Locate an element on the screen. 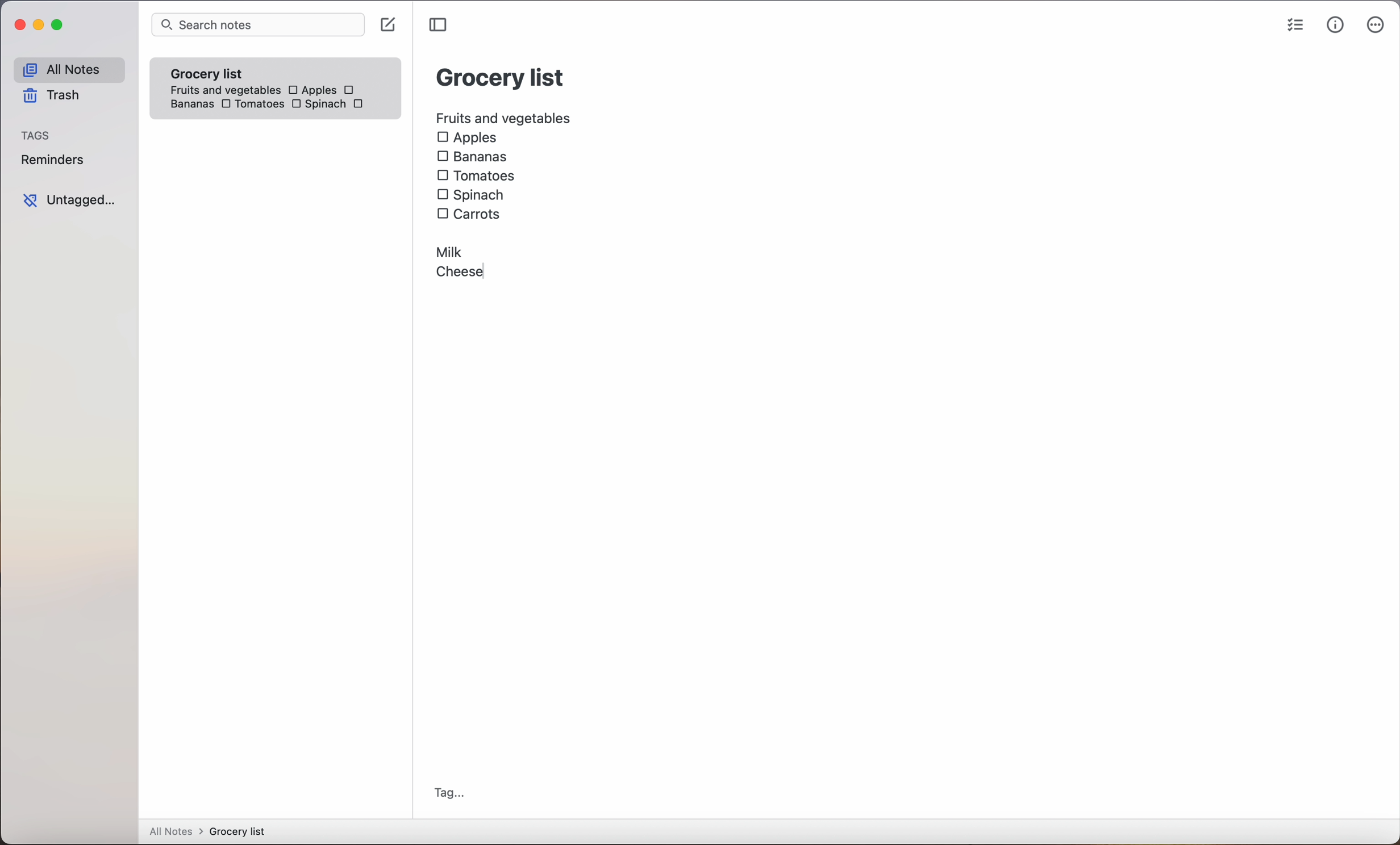 The width and height of the screenshot is (1400, 845). Spinach checkbox is located at coordinates (472, 195).